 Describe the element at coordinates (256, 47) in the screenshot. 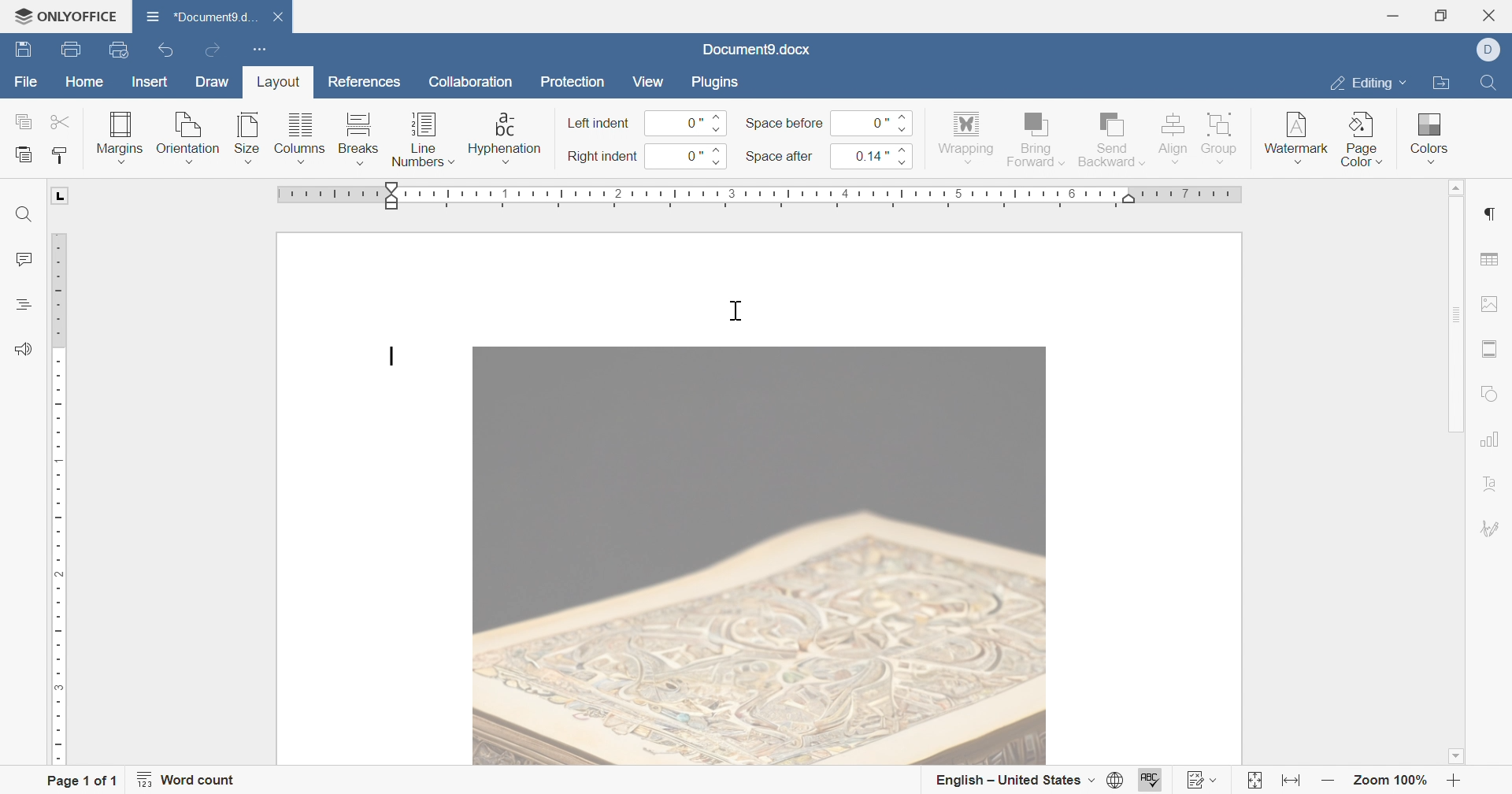

I see `customize quick access toolbar` at that location.